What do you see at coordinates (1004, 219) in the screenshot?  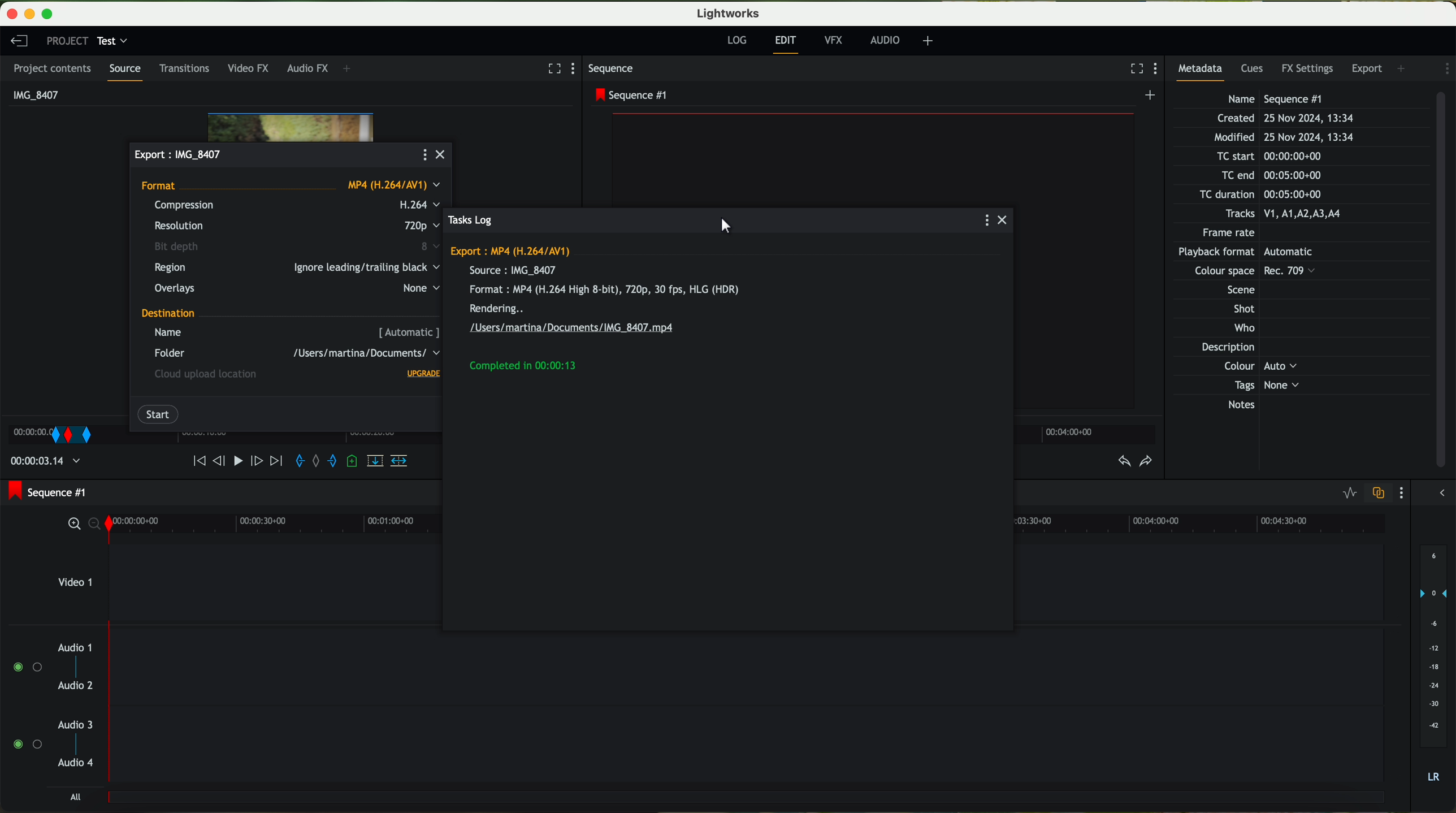 I see `close` at bounding box center [1004, 219].